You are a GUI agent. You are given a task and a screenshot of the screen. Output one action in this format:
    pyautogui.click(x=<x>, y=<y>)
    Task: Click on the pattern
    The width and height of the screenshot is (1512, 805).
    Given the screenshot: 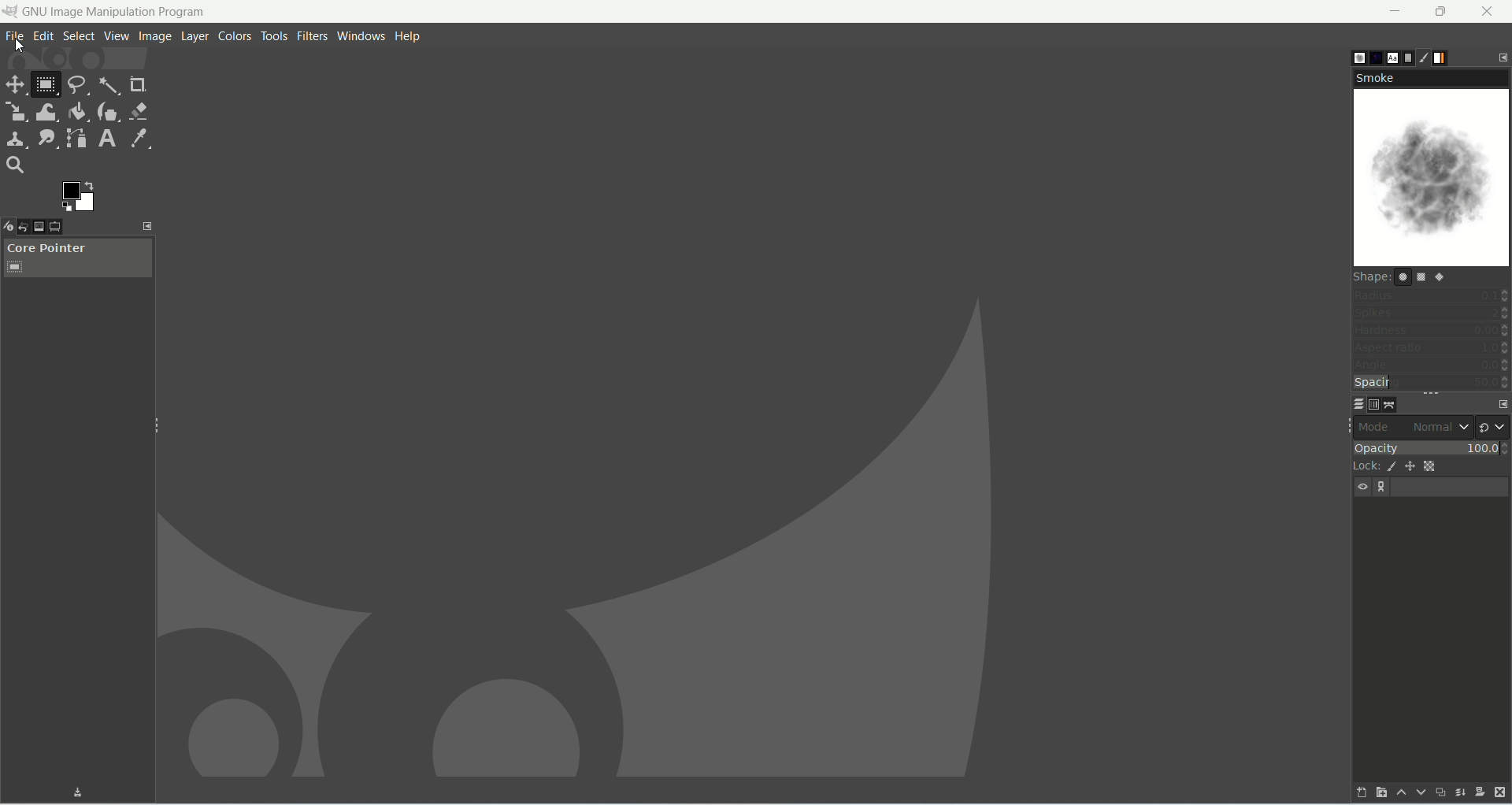 What is the action you would take?
    pyautogui.click(x=1374, y=57)
    